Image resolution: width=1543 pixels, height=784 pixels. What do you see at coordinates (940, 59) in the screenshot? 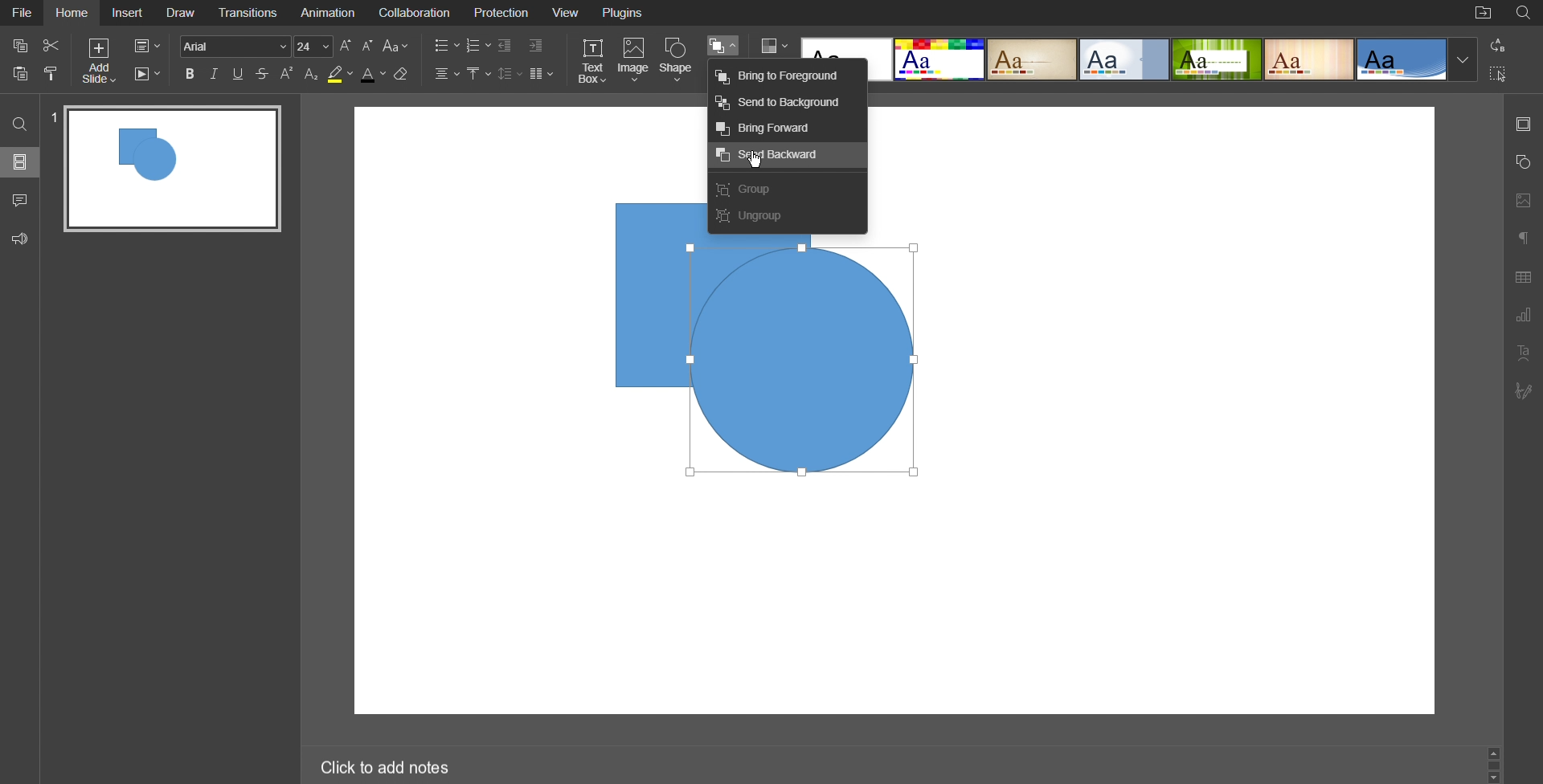
I see `Basic` at bounding box center [940, 59].